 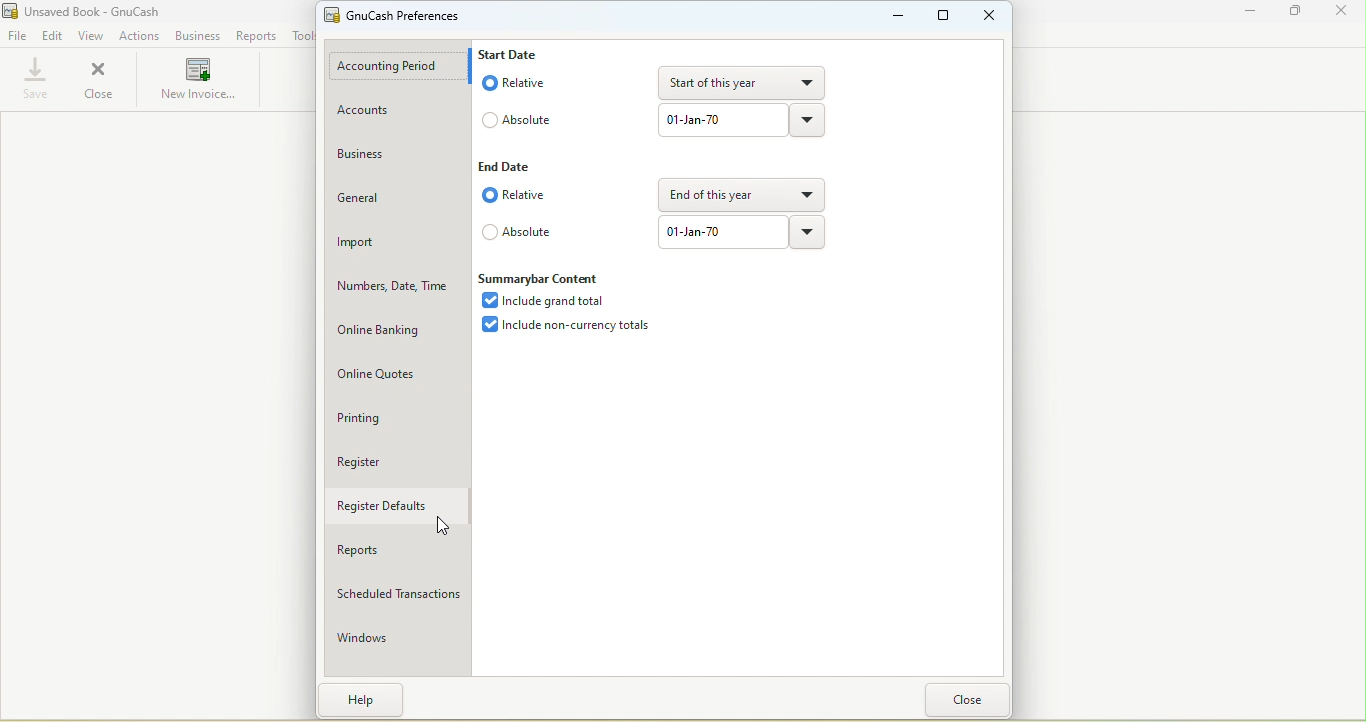 I want to click on New invoices, so click(x=194, y=82).